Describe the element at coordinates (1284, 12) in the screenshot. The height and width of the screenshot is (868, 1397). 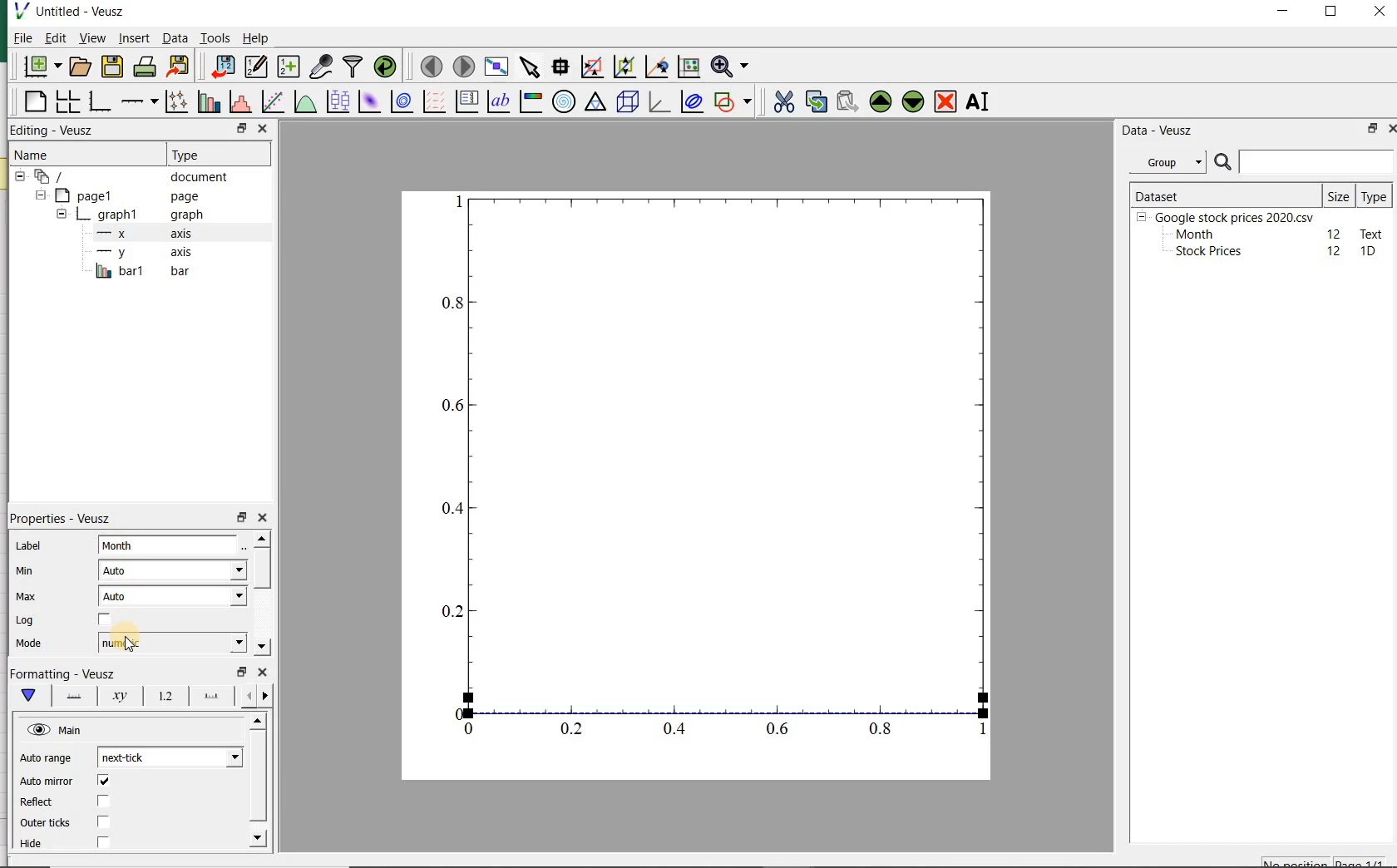
I see `minimize` at that location.